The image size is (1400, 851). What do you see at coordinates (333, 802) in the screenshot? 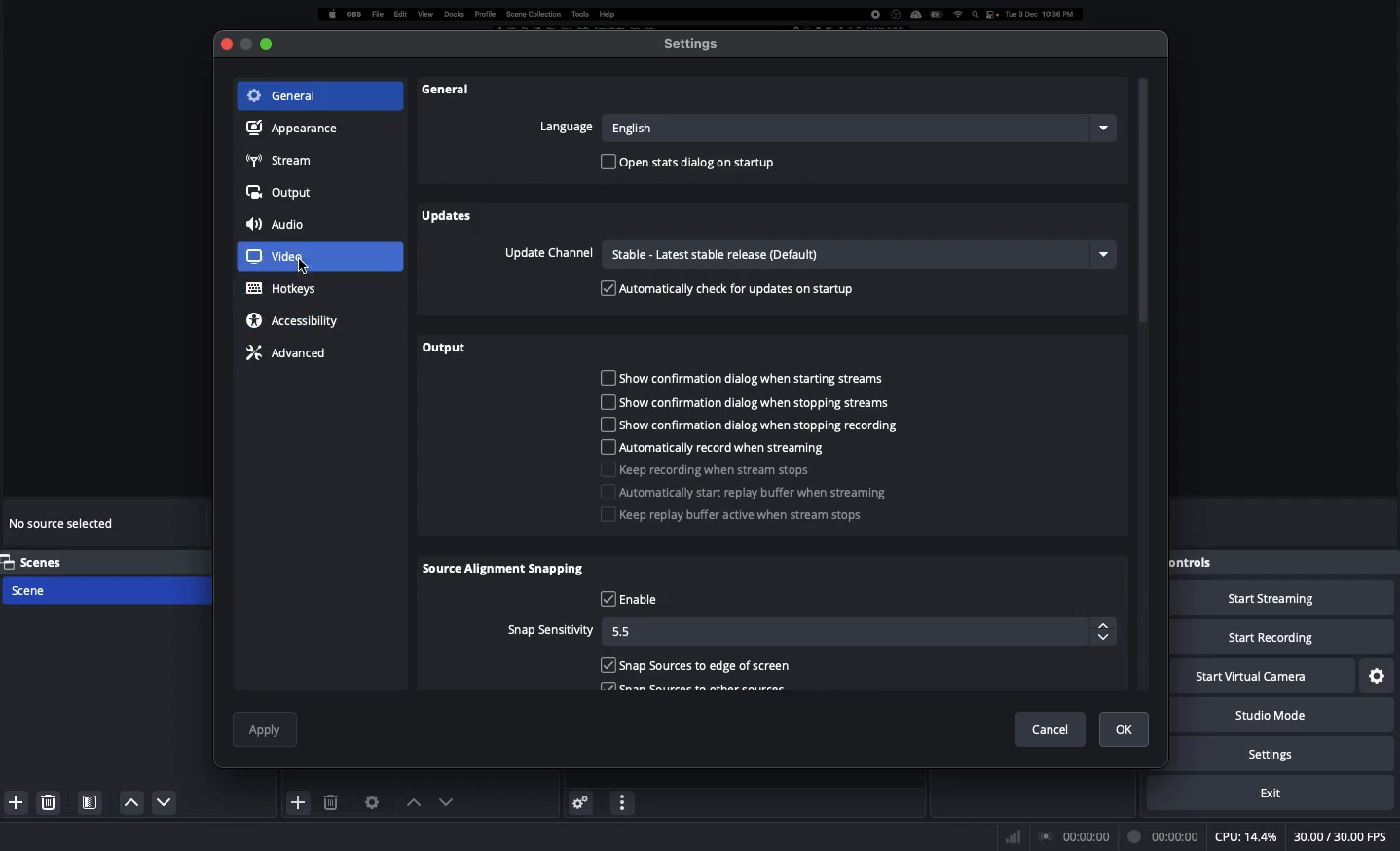
I see `Delete` at bounding box center [333, 802].